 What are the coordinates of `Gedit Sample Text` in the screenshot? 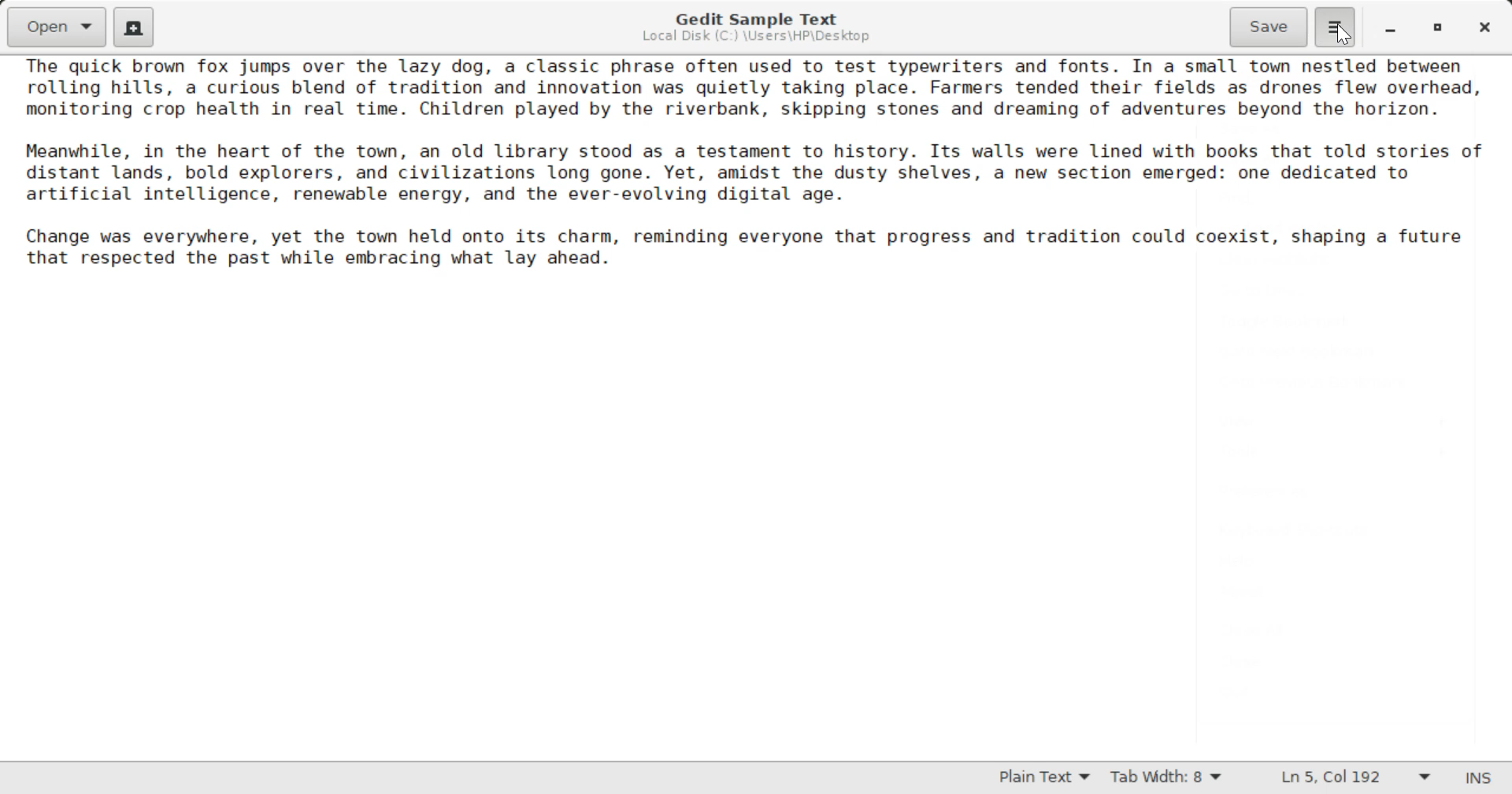 It's located at (752, 17).